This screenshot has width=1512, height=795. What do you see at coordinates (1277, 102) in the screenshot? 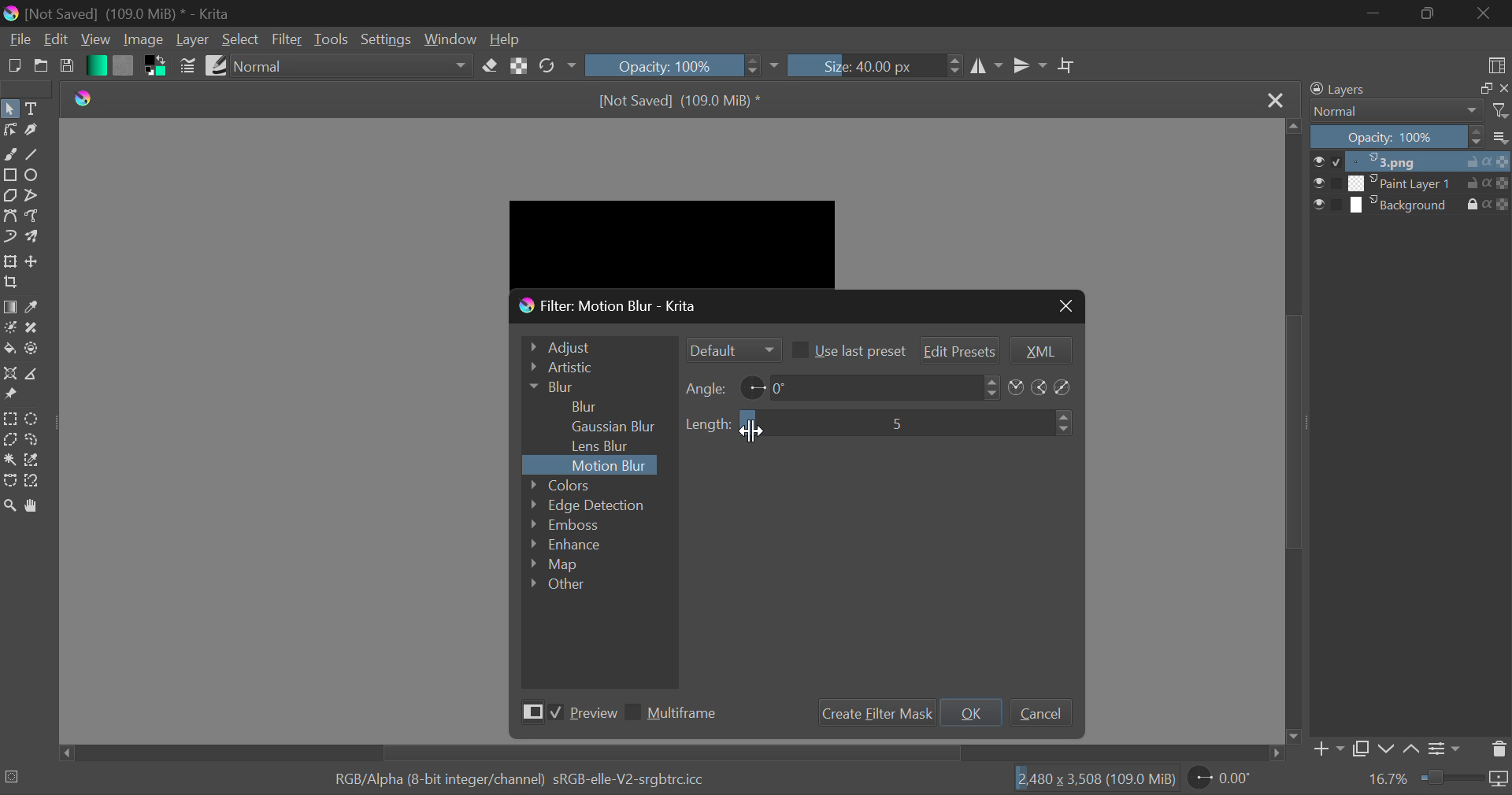
I see `Close` at bounding box center [1277, 102].